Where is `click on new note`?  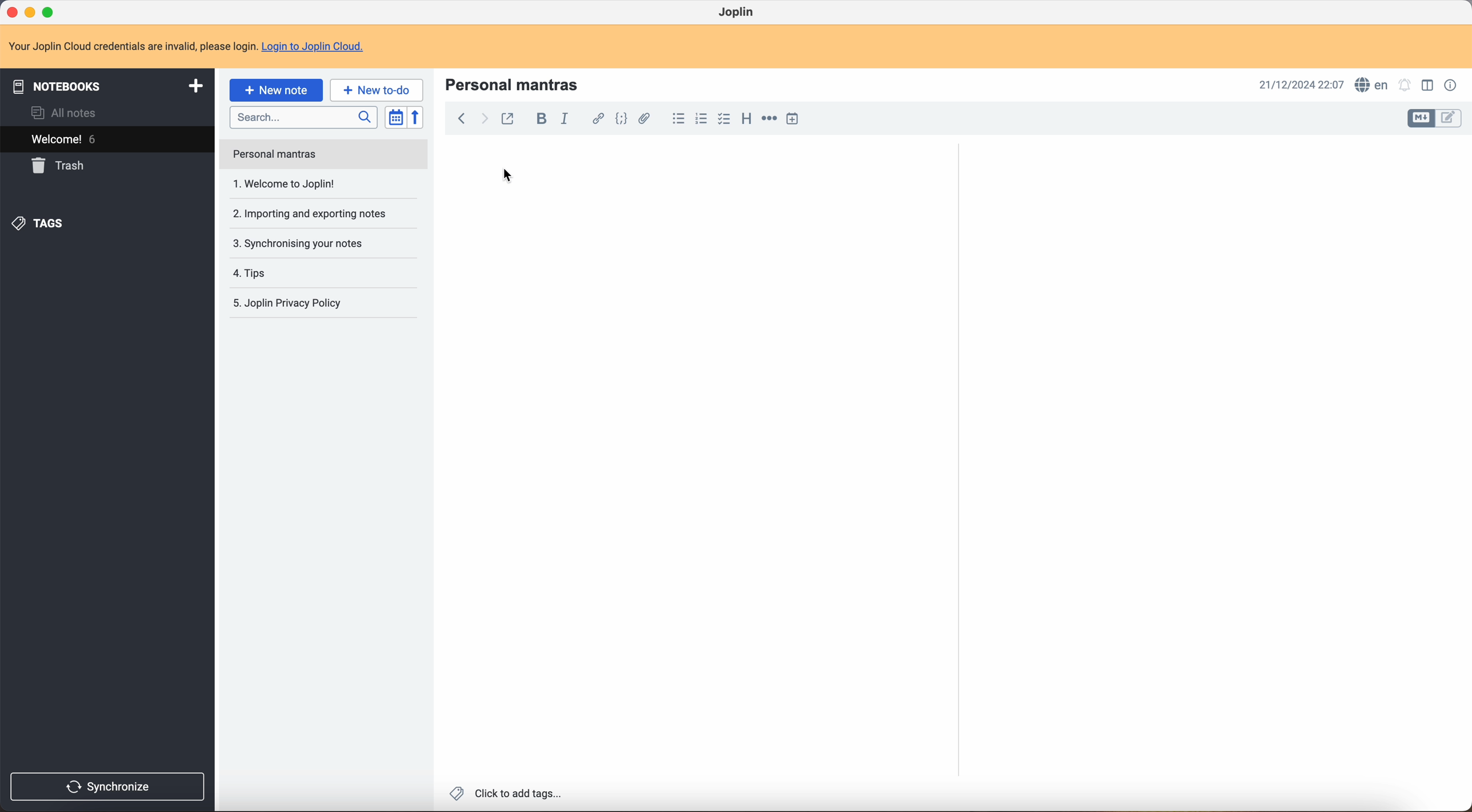 click on new note is located at coordinates (277, 91).